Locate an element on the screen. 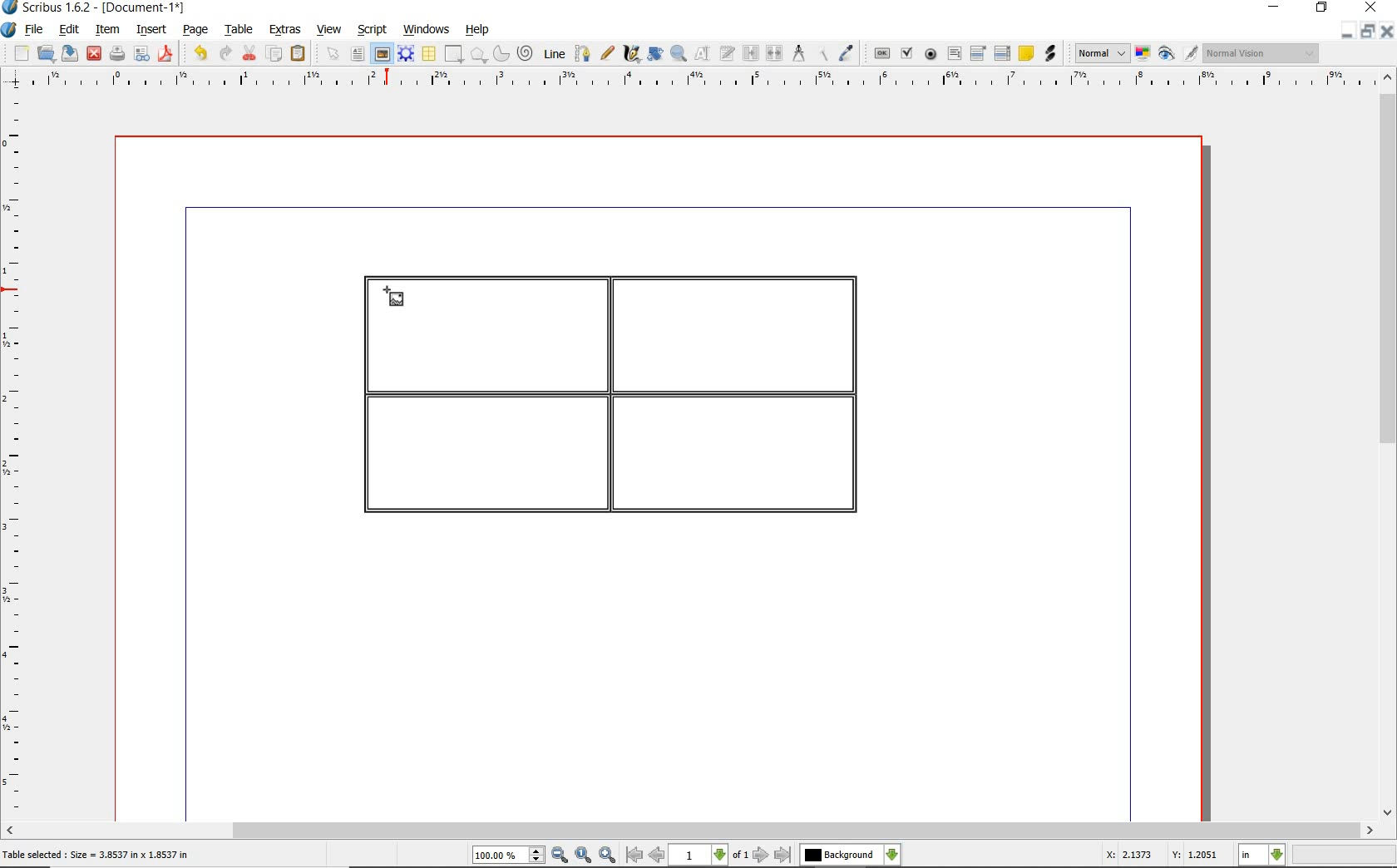 This screenshot has width=1397, height=868. ruler is located at coordinates (16, 455).